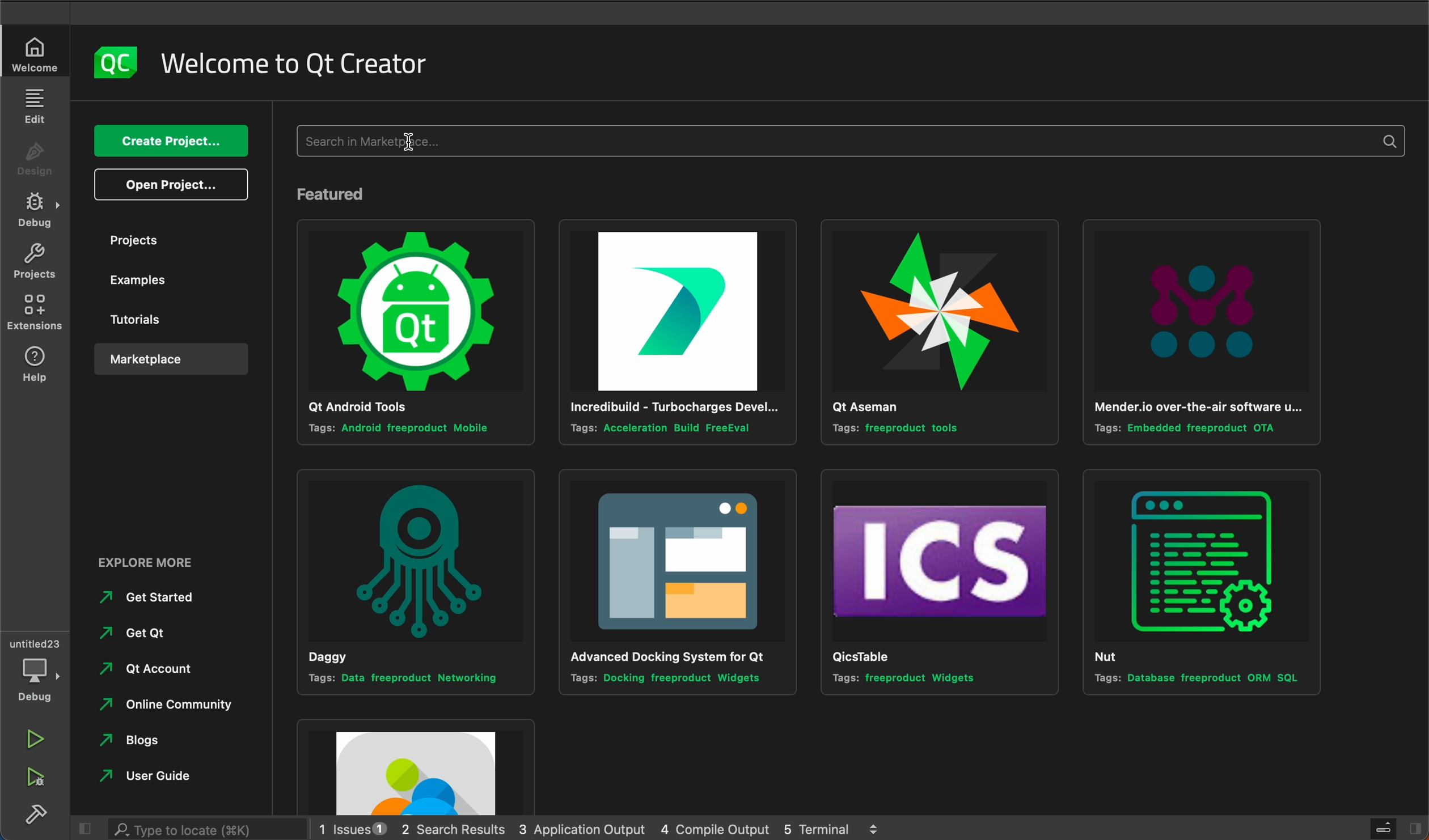 The image size is (1429, 840). Describe the element at coordinates (38, 53) in the screenshot. I see `welcome` at that location.